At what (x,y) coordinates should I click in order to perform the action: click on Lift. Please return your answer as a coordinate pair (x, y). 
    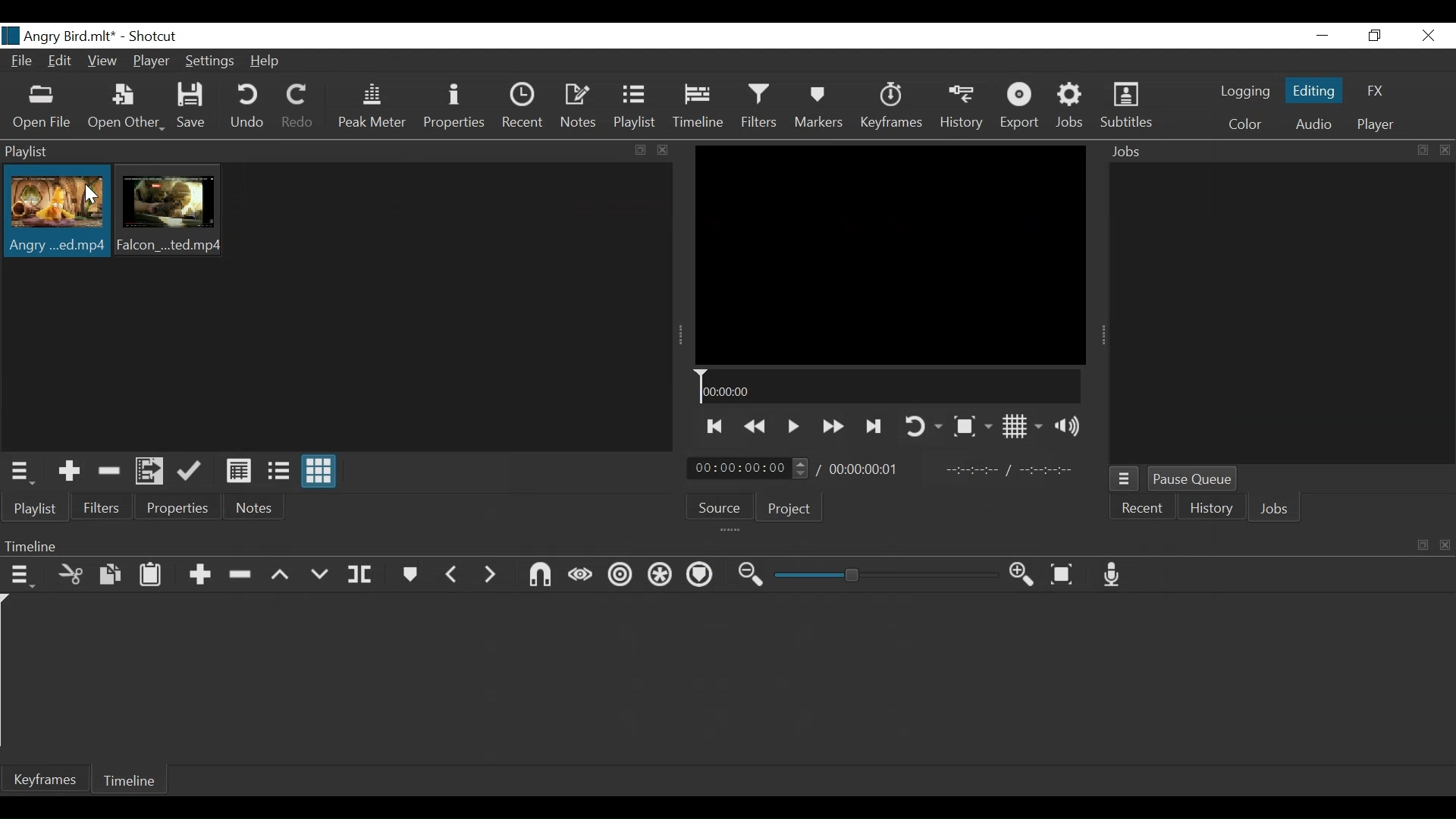
    Looking at the image, I should click on (284, 575).